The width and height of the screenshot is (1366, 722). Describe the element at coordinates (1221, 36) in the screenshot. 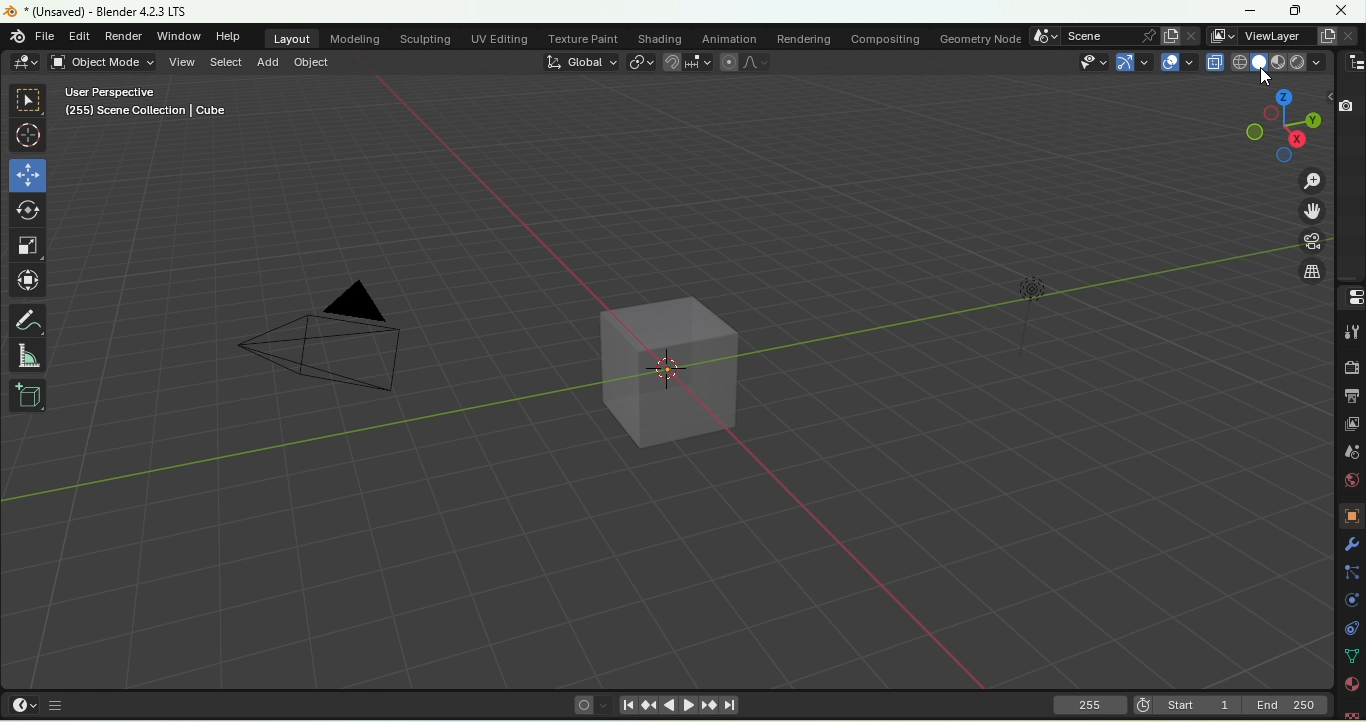

I see `The active workspace view layer showing in the window` at that location.